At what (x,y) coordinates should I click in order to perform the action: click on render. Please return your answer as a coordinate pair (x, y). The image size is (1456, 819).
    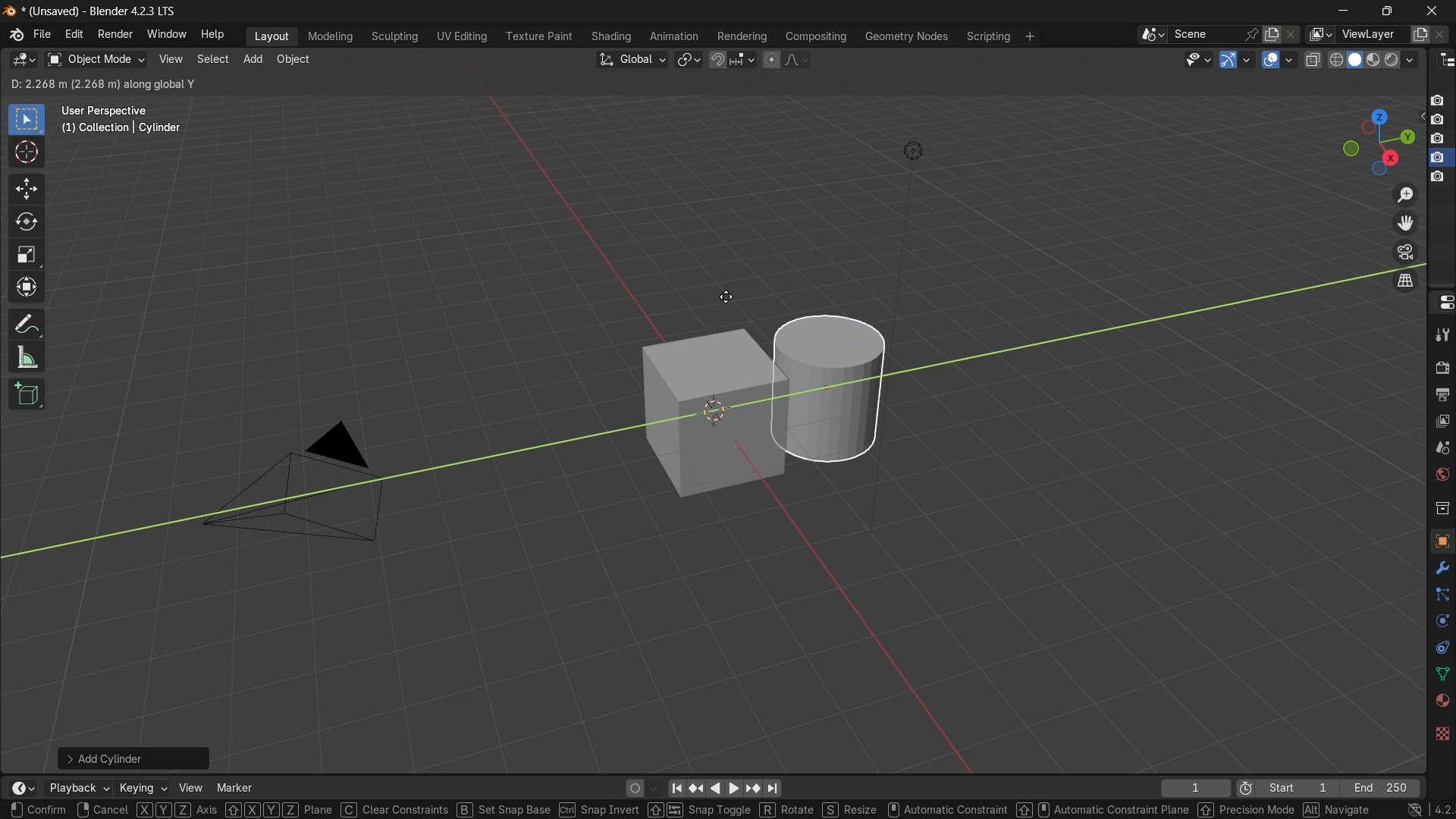
    Looking at the image, I should click on (1403, 59).